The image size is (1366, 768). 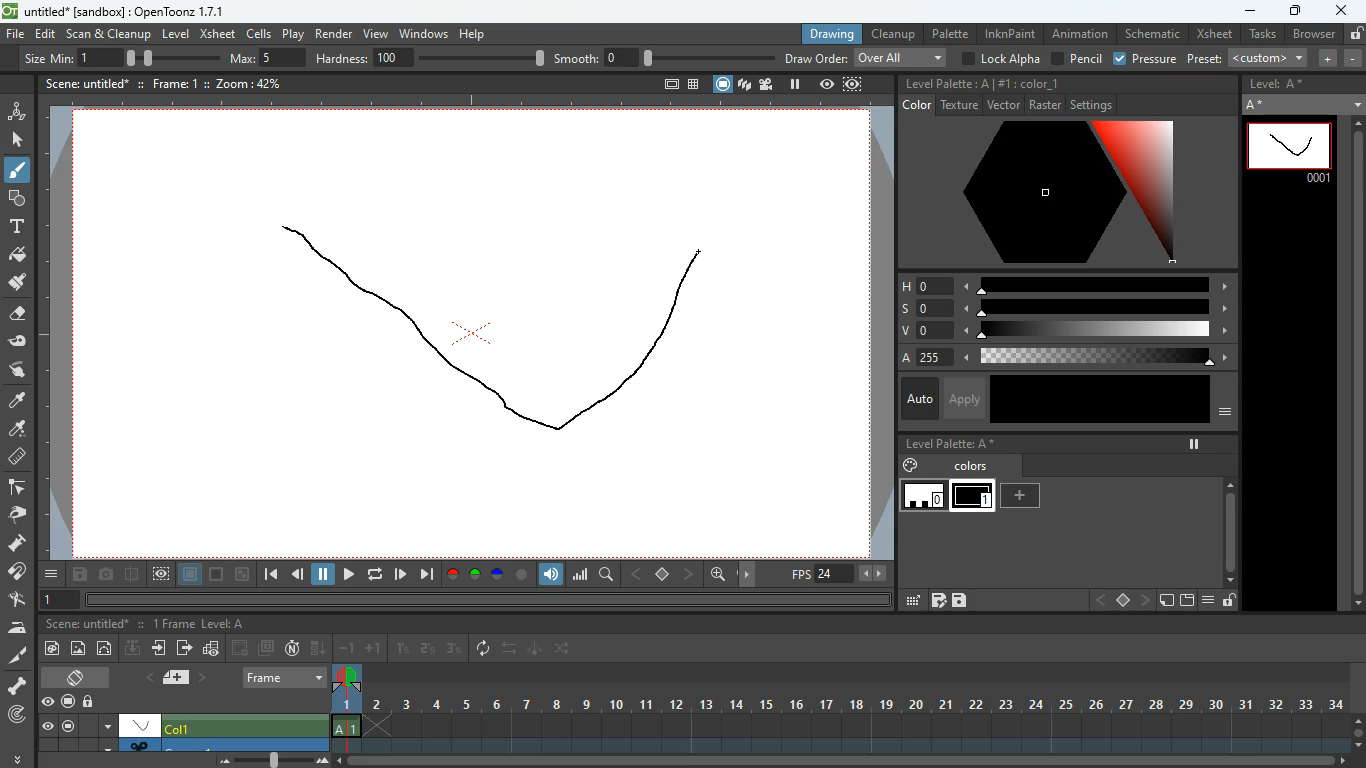 I want to click on paint, so click(x=15, y=430).